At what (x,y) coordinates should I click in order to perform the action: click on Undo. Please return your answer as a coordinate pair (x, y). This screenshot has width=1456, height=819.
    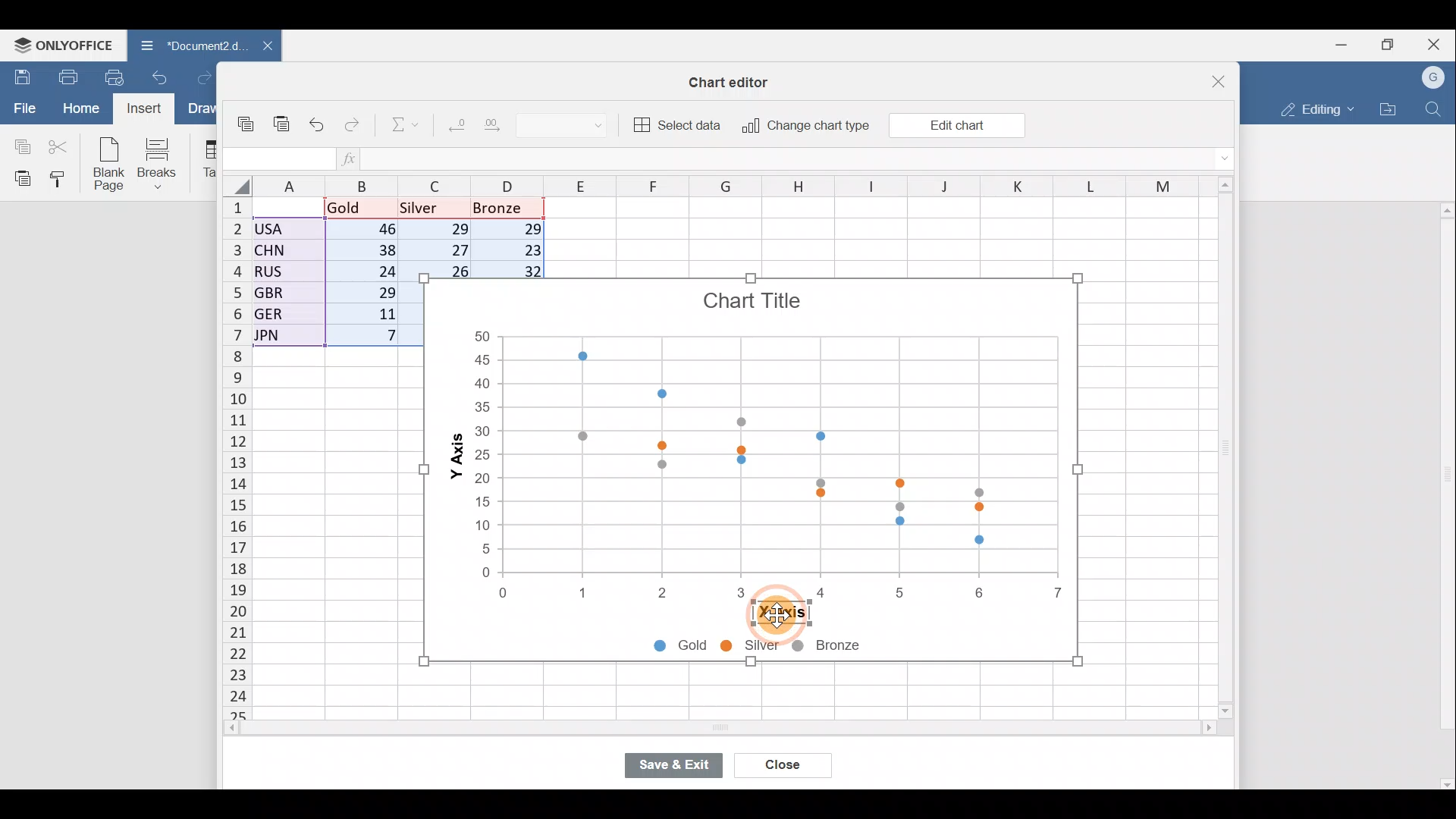
    Looking at the image, I should click on (318, 121).